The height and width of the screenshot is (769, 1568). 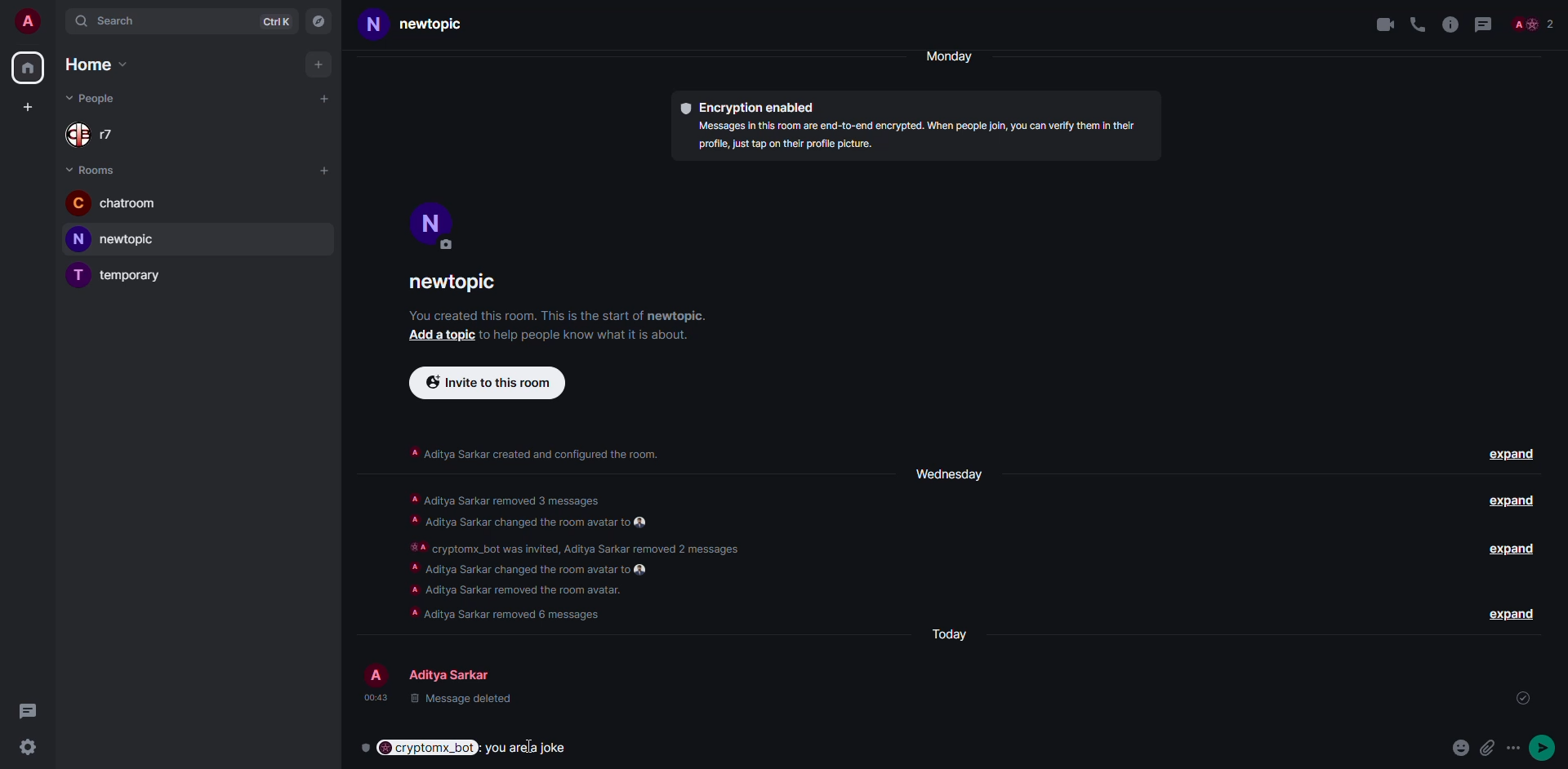 What do you see at coordinates (96, 96) in the screenshot?
I see `people` at bounding box center [96, 96].